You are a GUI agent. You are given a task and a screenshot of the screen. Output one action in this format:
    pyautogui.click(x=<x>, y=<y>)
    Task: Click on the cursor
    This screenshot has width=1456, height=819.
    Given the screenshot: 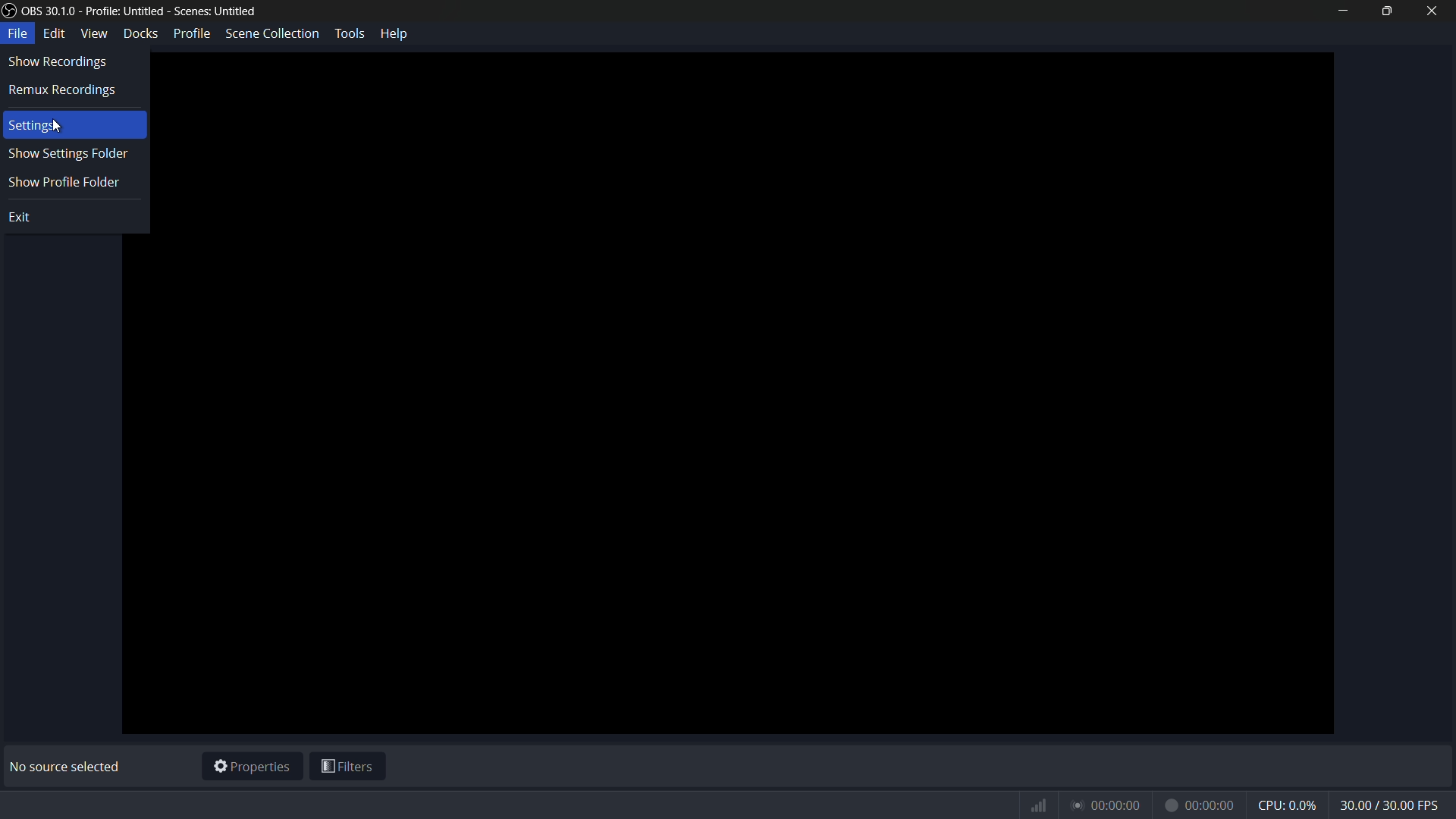 What is the action you would take?
    pyautogui.click(x=60, y=127)
    